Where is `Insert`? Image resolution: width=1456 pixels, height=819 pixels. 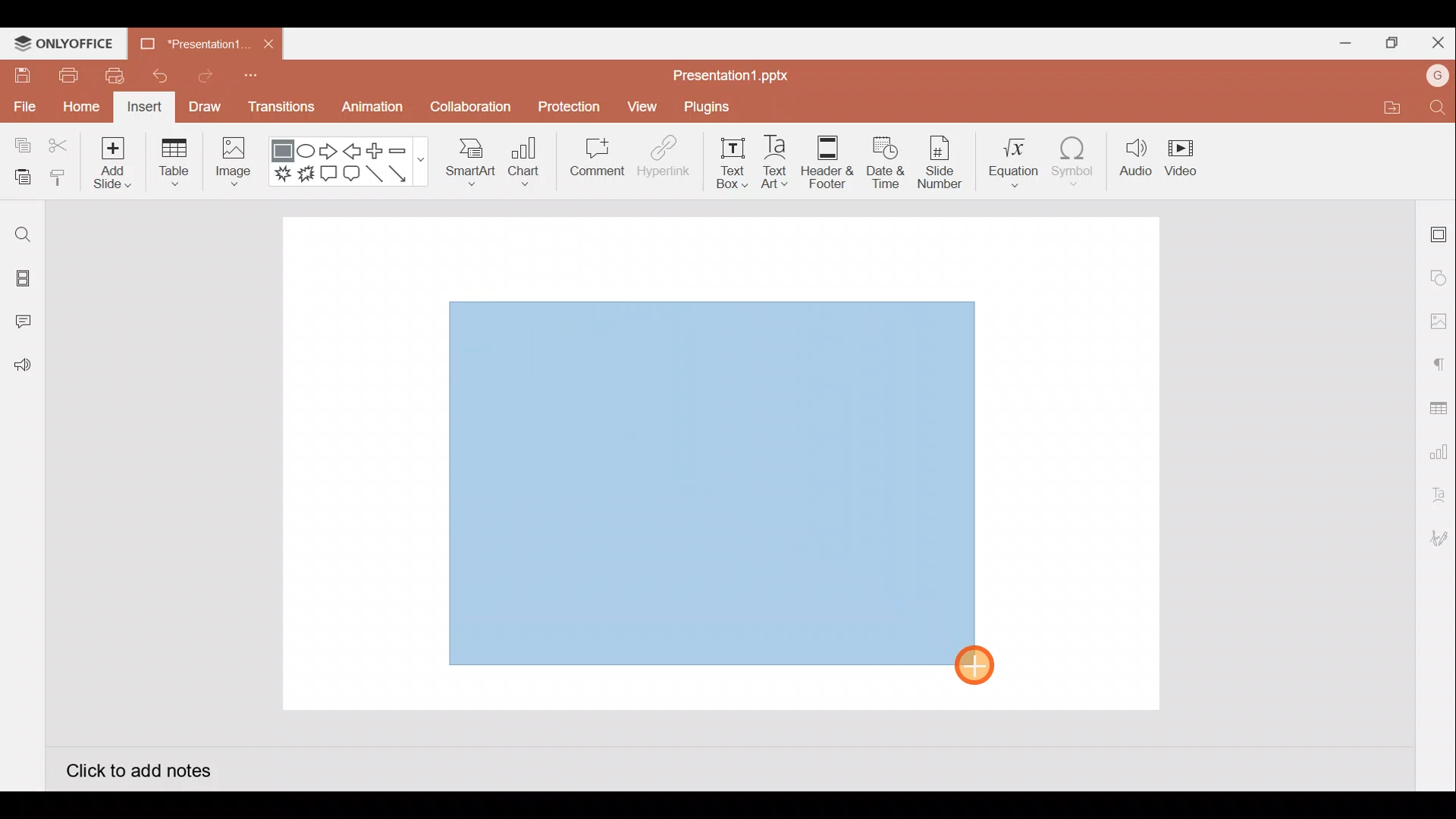
Insert is located at coordinates (145, 108).